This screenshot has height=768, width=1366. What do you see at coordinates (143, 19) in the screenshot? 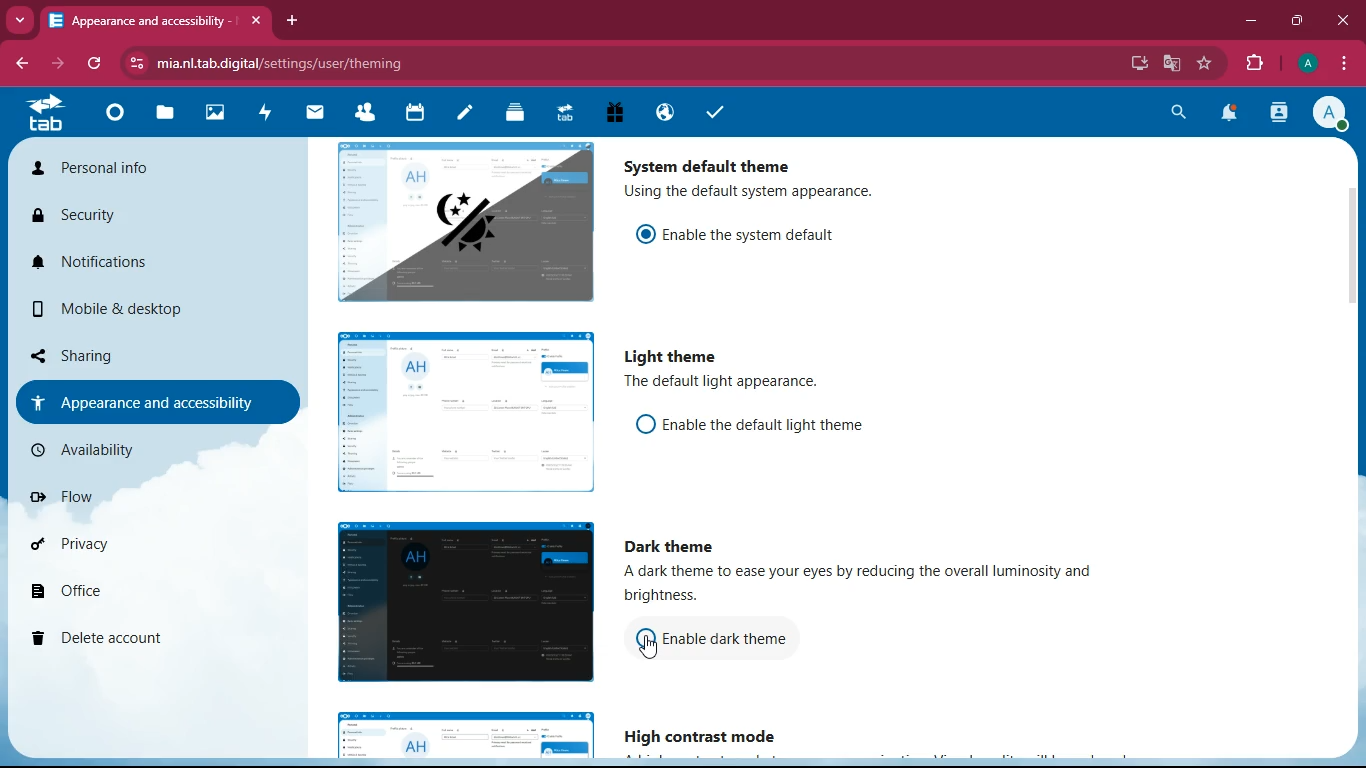
I see `tab` at bounding box center [143, 19].